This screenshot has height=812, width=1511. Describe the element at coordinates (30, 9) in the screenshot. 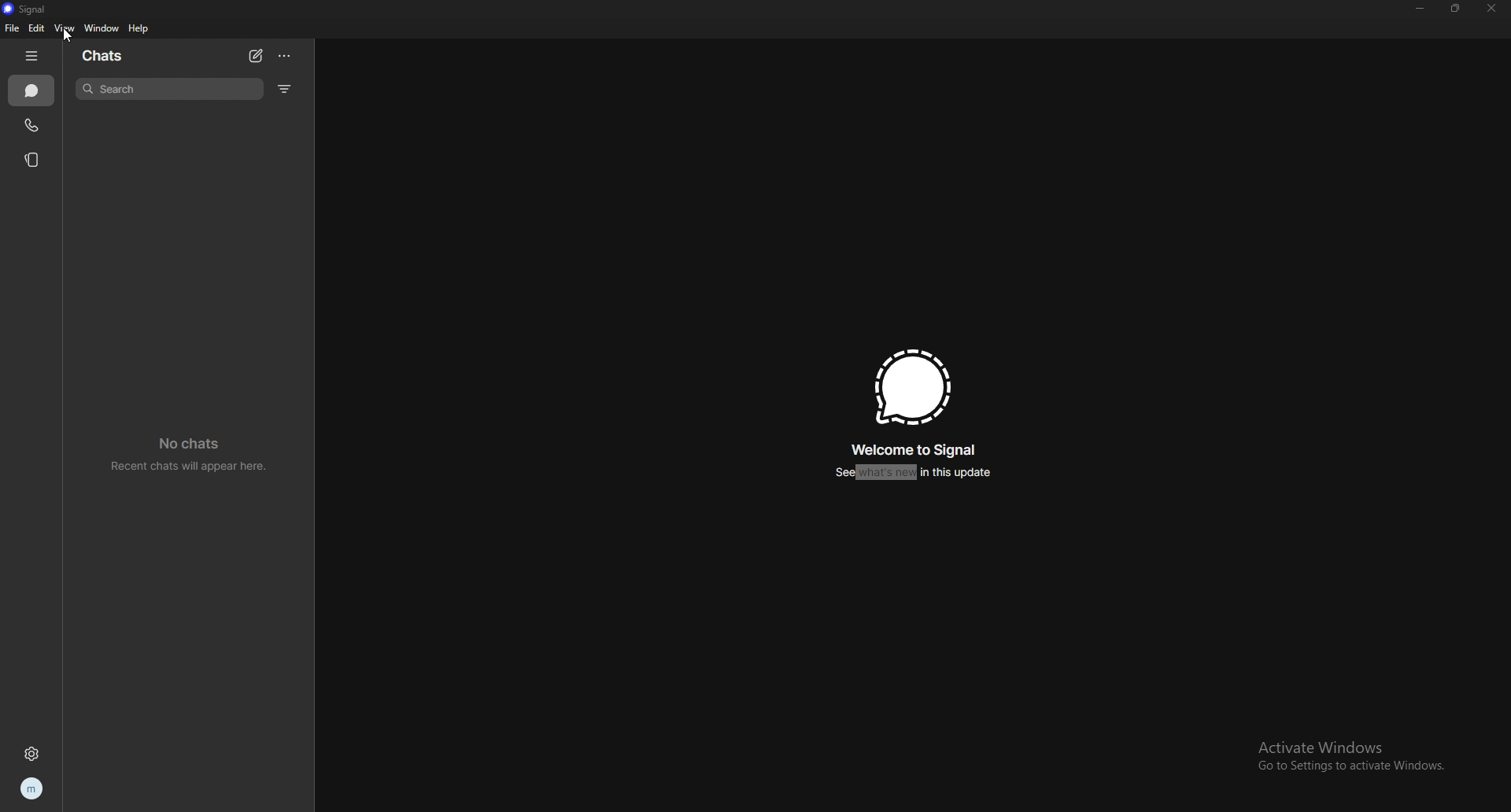

I see `signal` at that location.